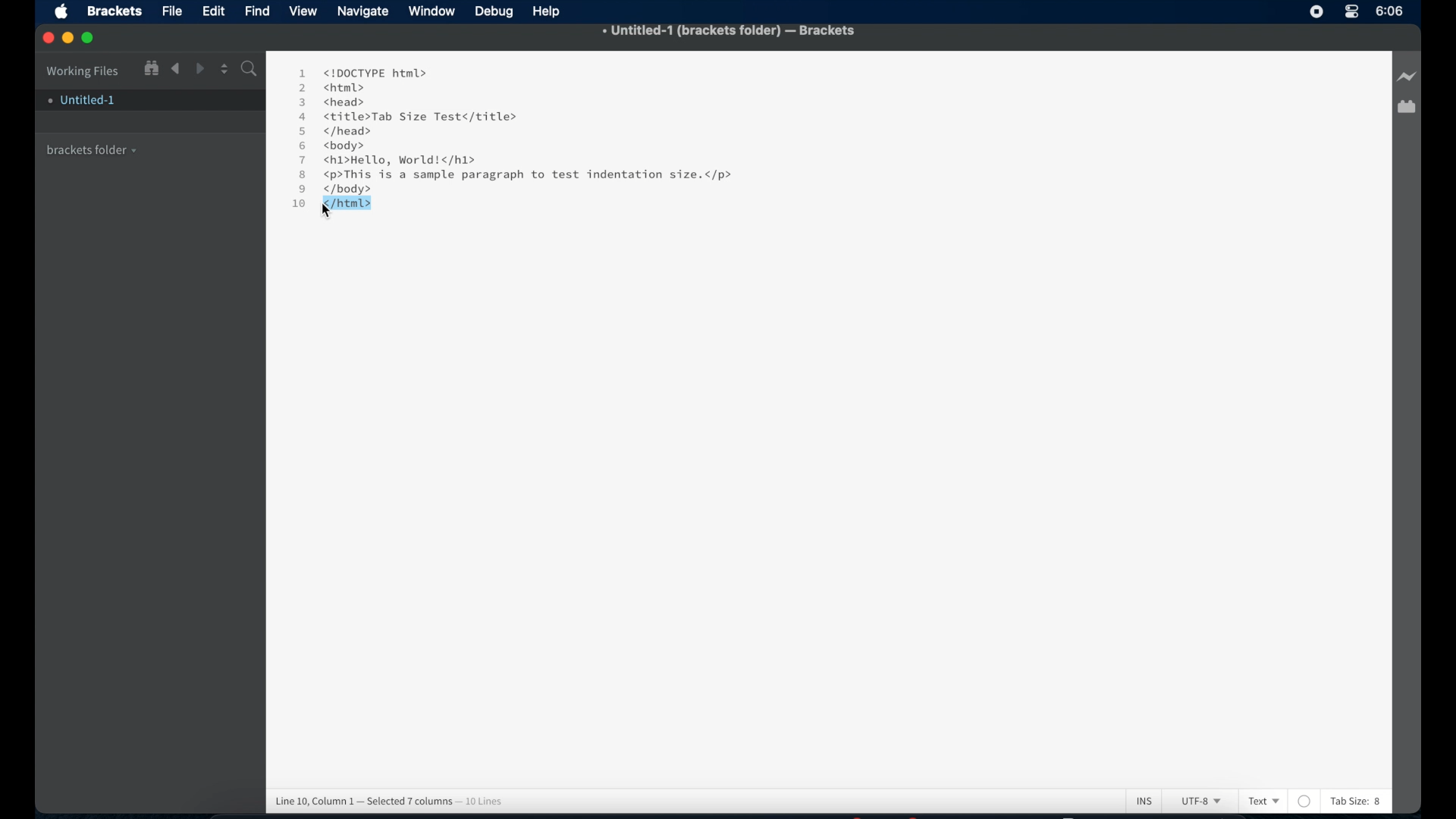  What do you see at coordinates (362, 72) in the screenshot?
I see `1  <!DOCTYPE html>` at bounding box center [362, 72].